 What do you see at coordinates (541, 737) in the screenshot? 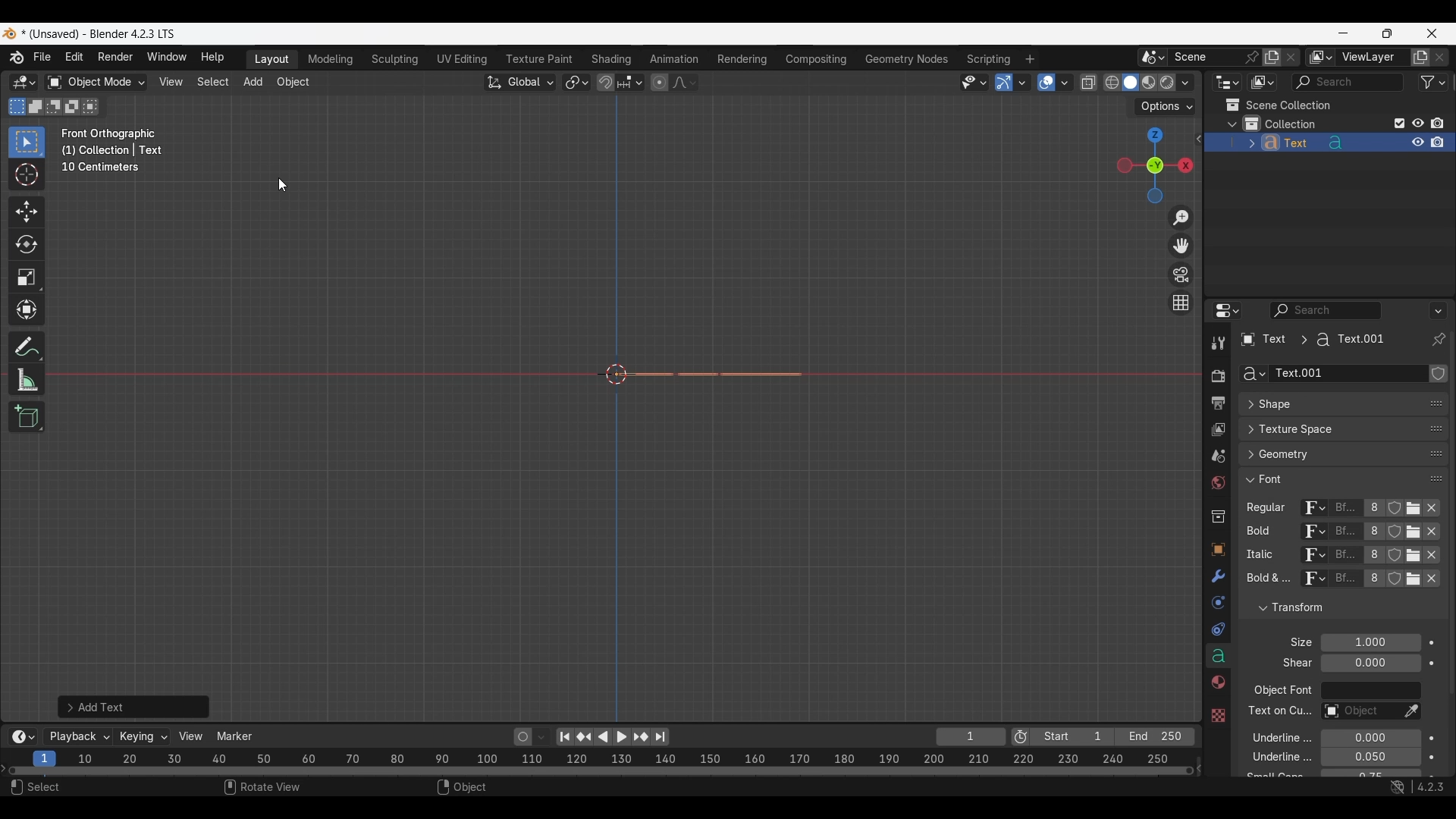
I see `Auto keyframing` at bounding box center [541, 737].